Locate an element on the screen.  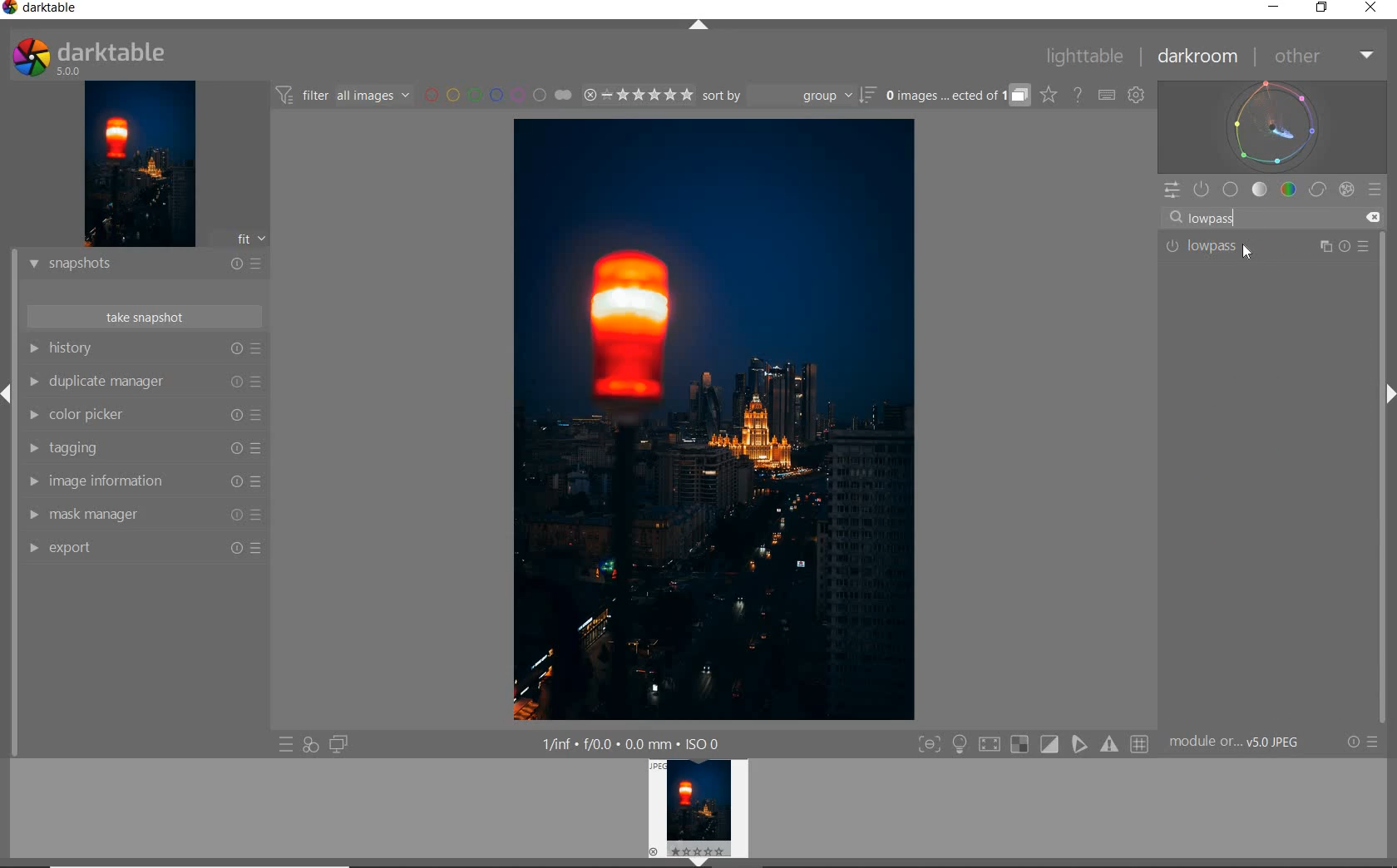
HELP ONLINE is located at coordinates (1077, 94).